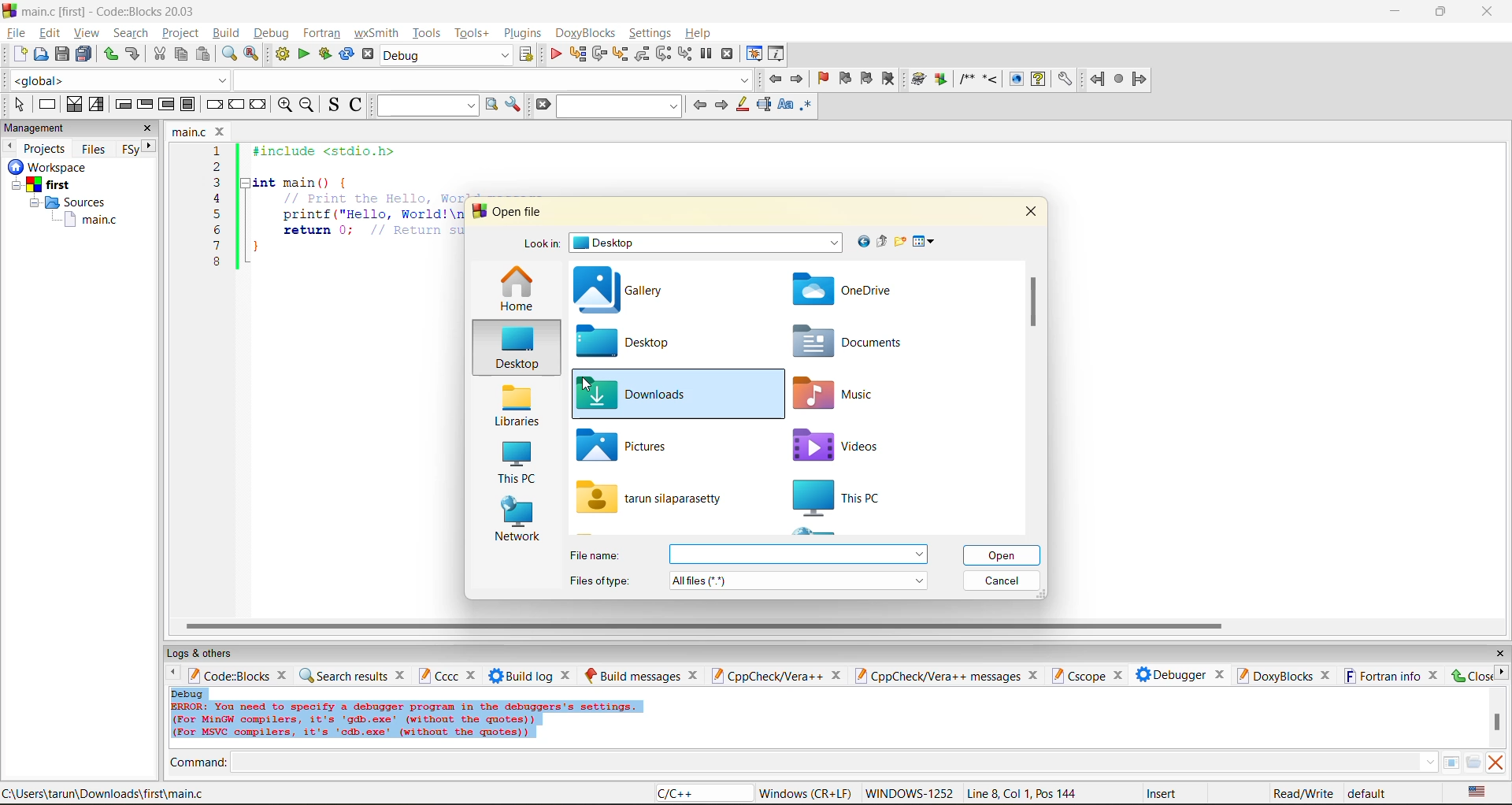 This screenshot has height=805, width=1512. I want to click on #include <stdio.h>, so click(334, 151).